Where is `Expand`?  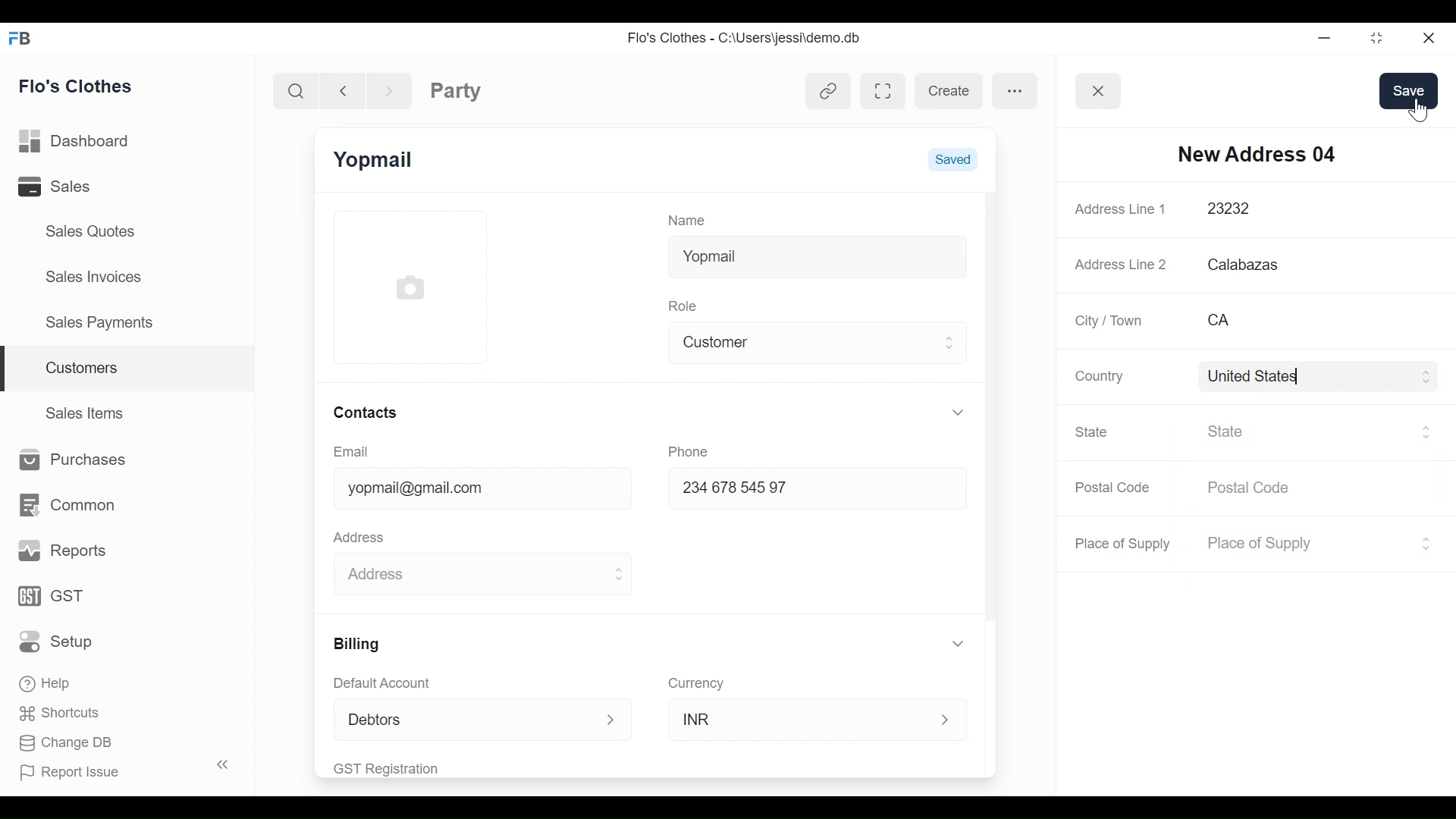
Expand is located at coordinates (617, 575).